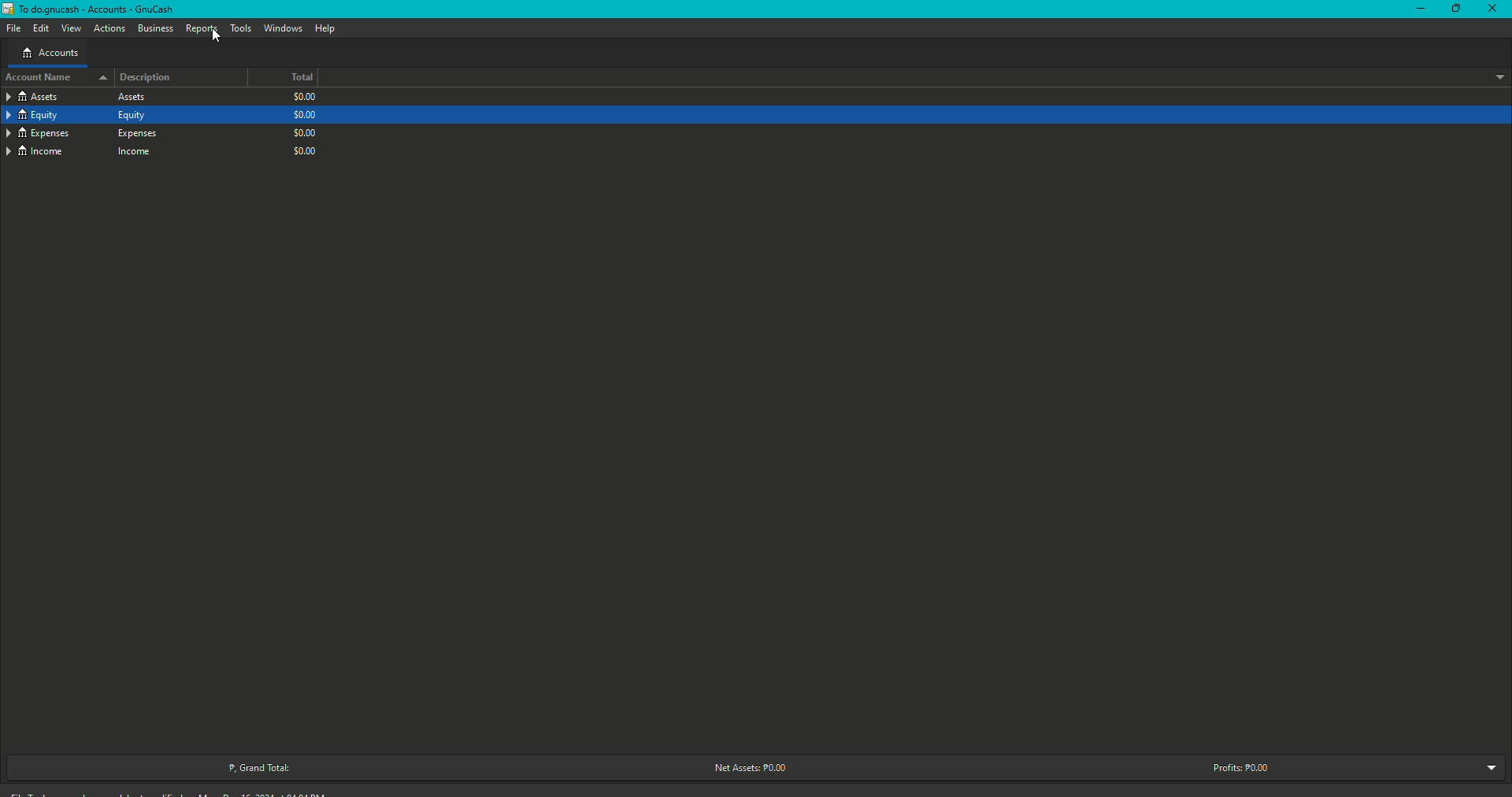  Describe the element at coordinates (72, 27) in the screenshot. I see `View` at that location.